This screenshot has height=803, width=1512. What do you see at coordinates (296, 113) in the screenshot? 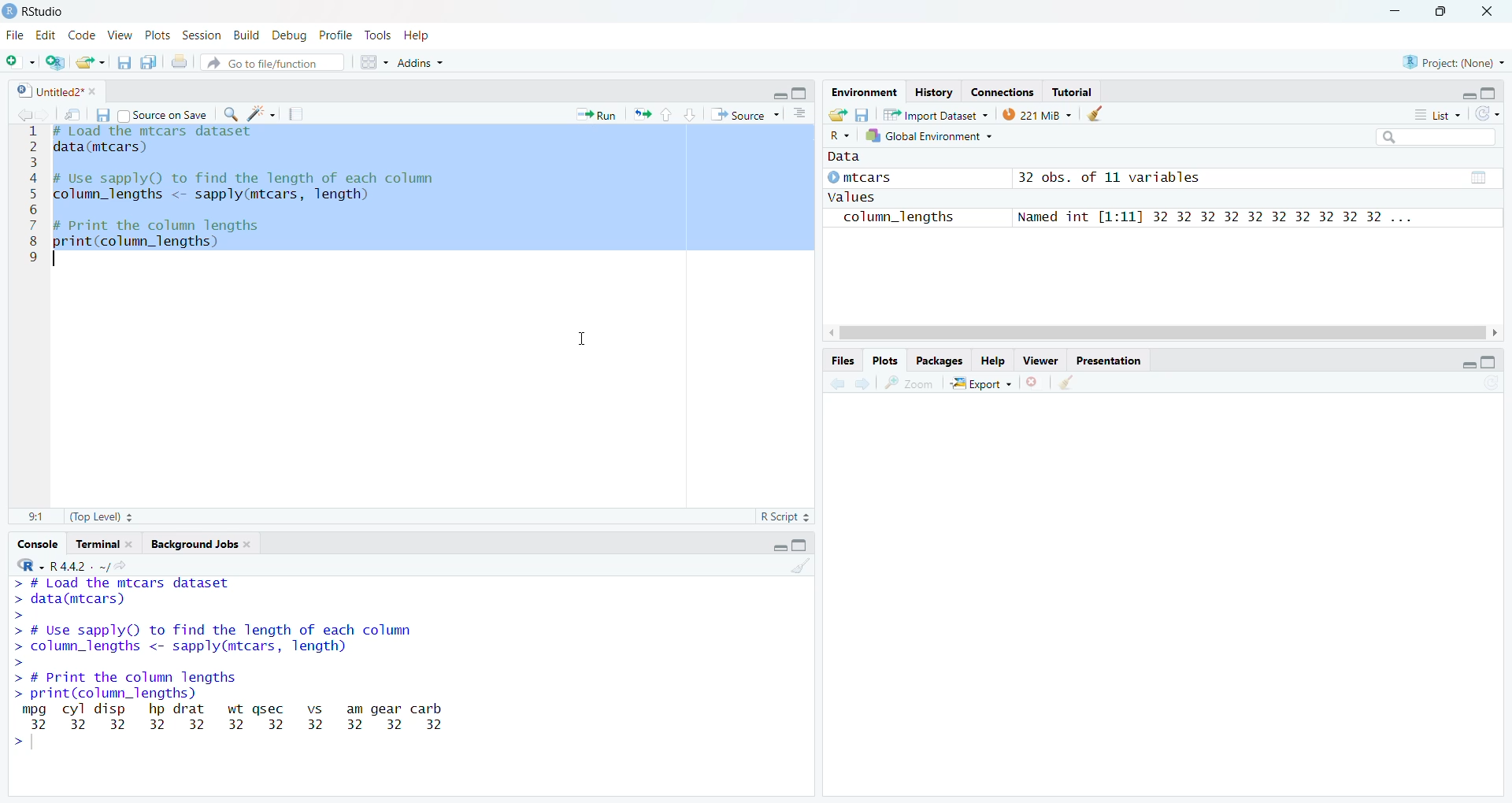
I see `Compile report` at bounding box center [296, 113].